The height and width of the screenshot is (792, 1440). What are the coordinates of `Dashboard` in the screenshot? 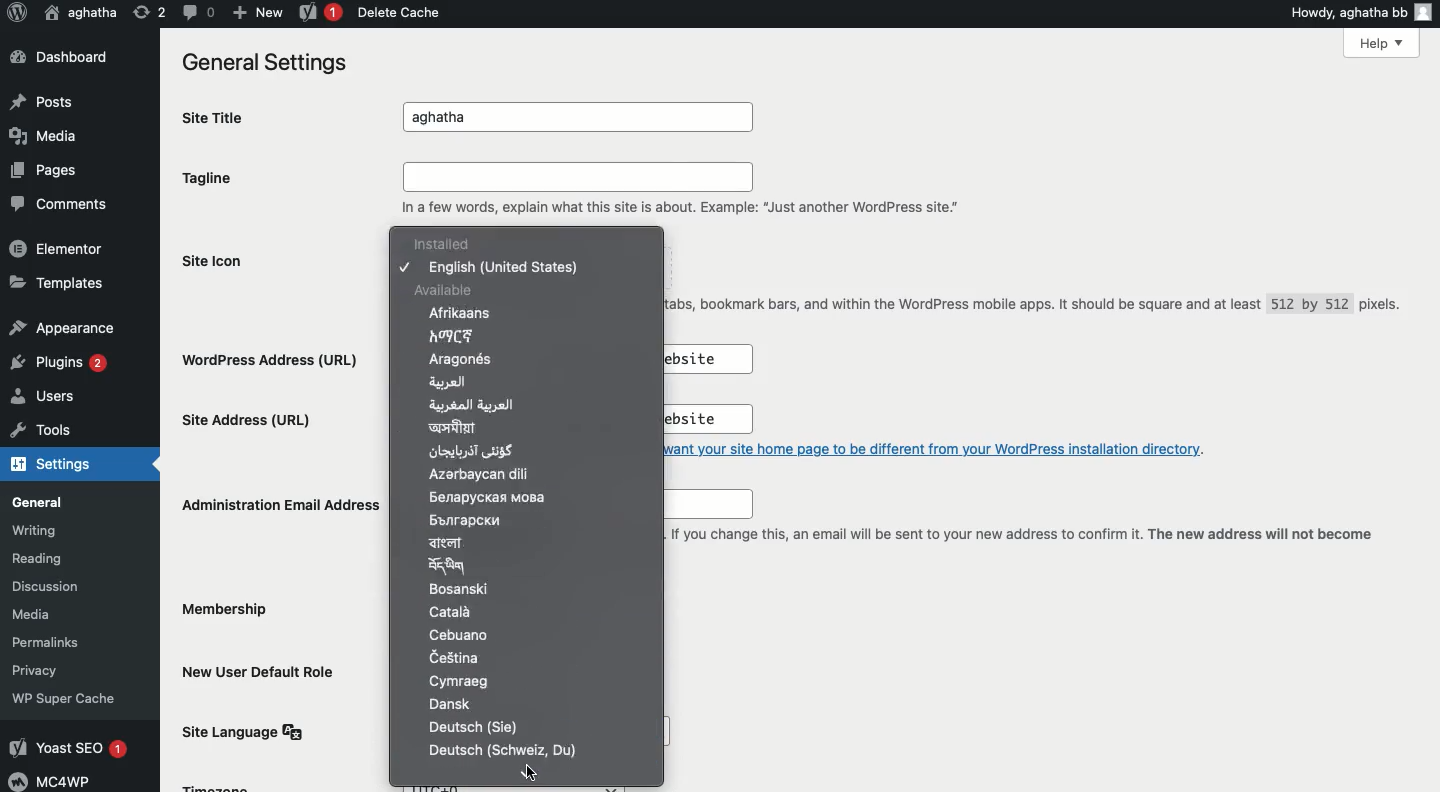 It's located at (57, 56).